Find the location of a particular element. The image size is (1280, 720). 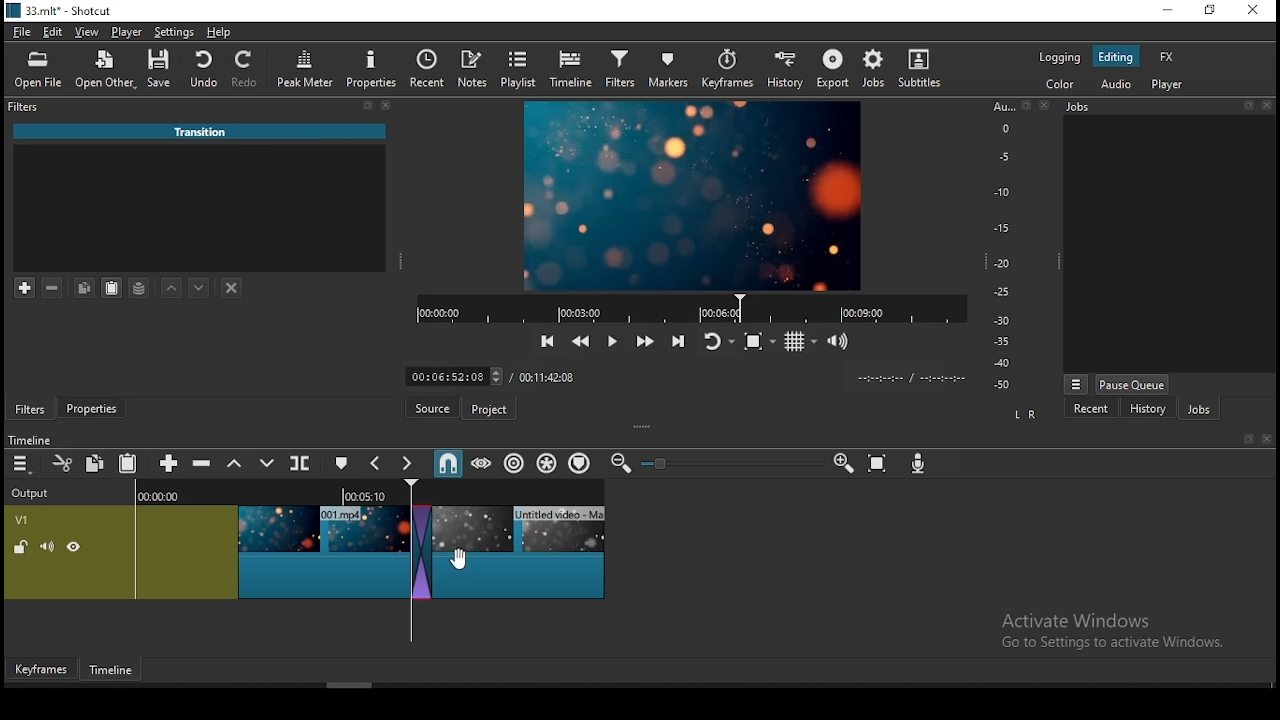

properties is located at coordinates (94, 408).